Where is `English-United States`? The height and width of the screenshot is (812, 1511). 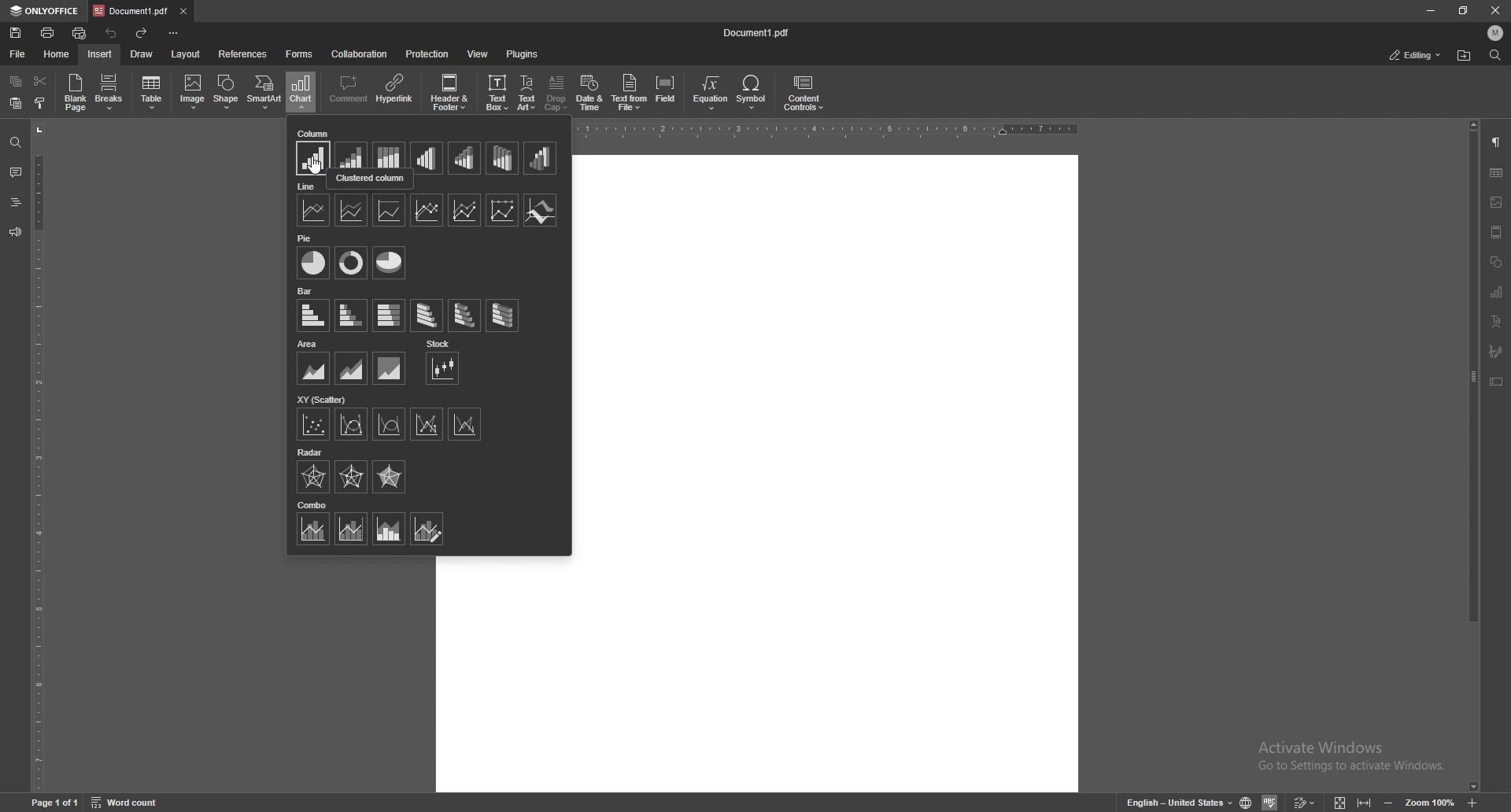
English-United States is located at coordinates (1203, 802).